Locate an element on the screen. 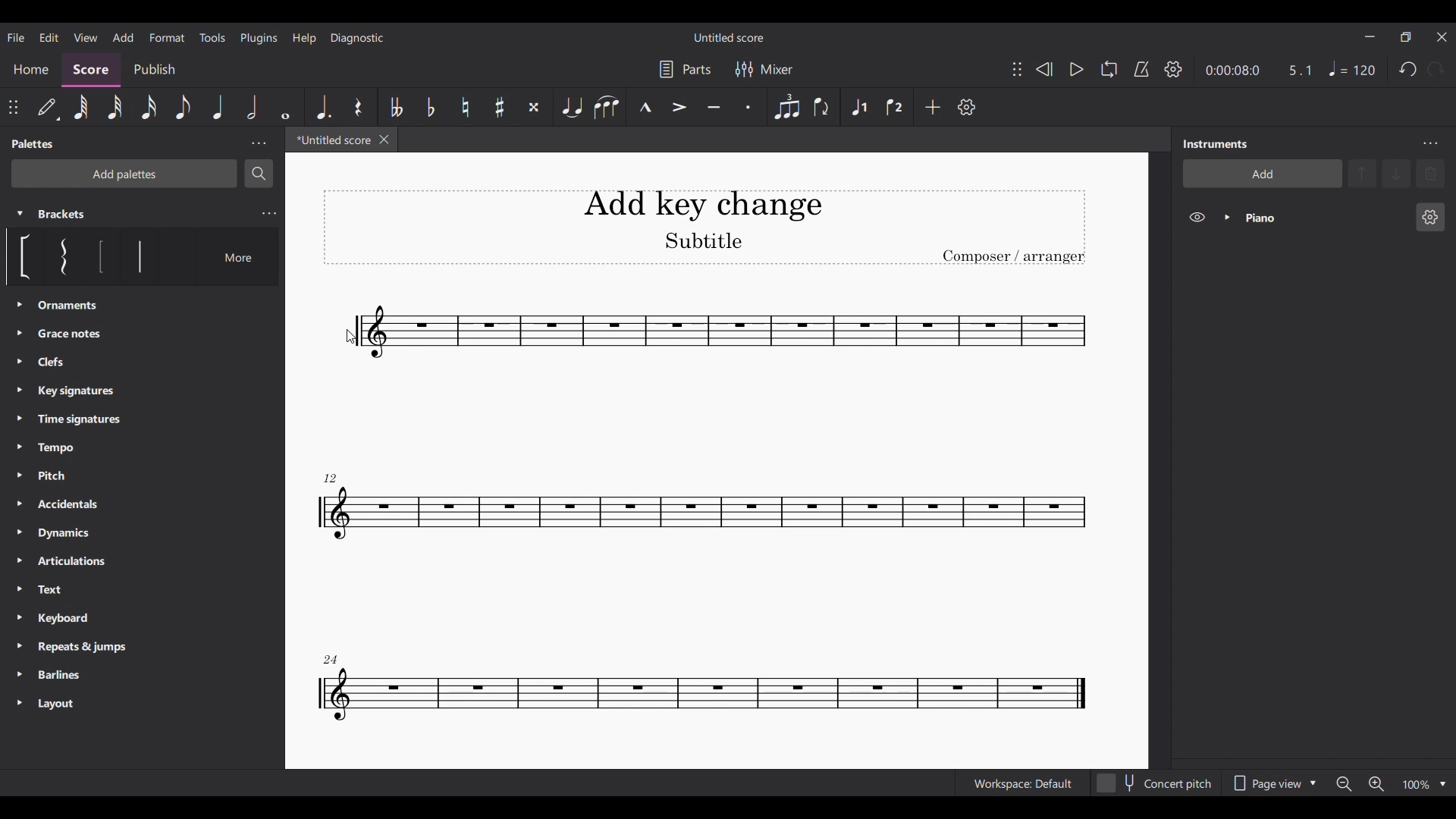 This screenshot has height=819, width=1456. Current bracket selection highlighted is located at coordinates (140, 256).